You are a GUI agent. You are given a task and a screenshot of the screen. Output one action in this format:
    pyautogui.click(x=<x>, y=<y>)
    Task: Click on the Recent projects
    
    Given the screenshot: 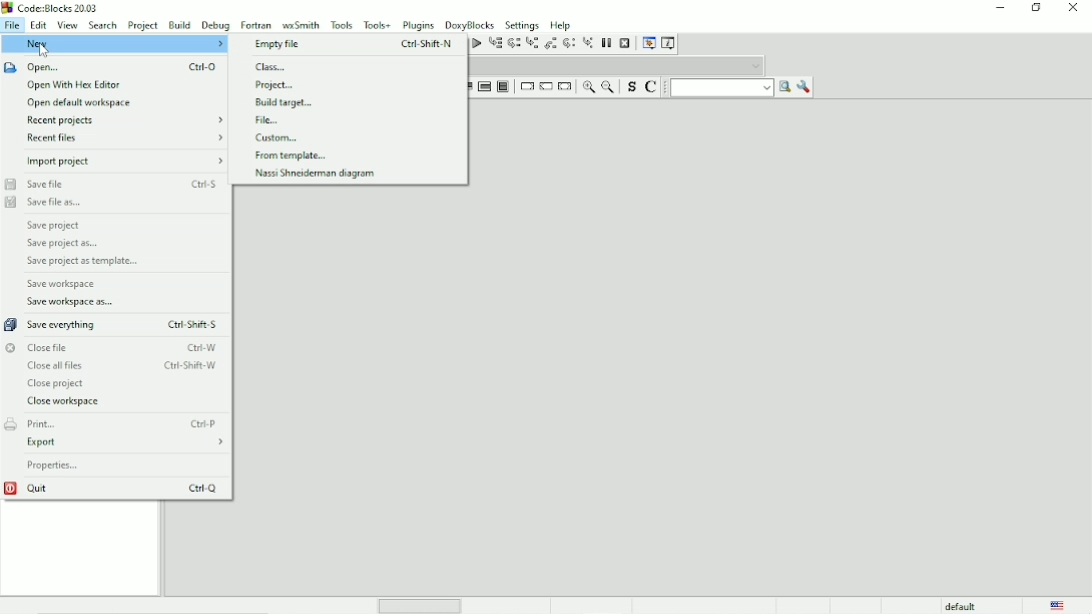 What is the action you would take?
    pyautogui.click(x=127, y=121)
    